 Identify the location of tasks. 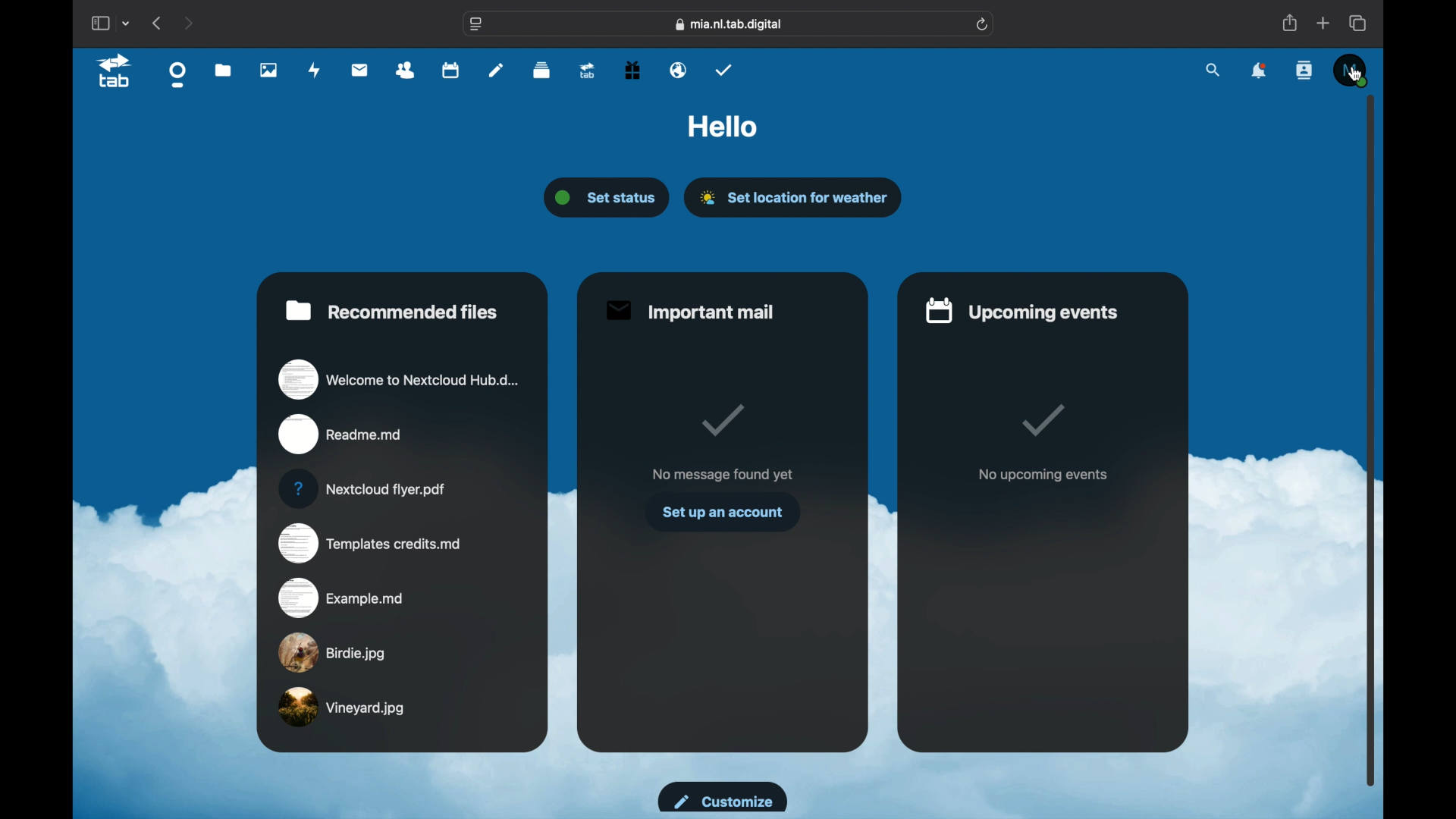
(724, 70).